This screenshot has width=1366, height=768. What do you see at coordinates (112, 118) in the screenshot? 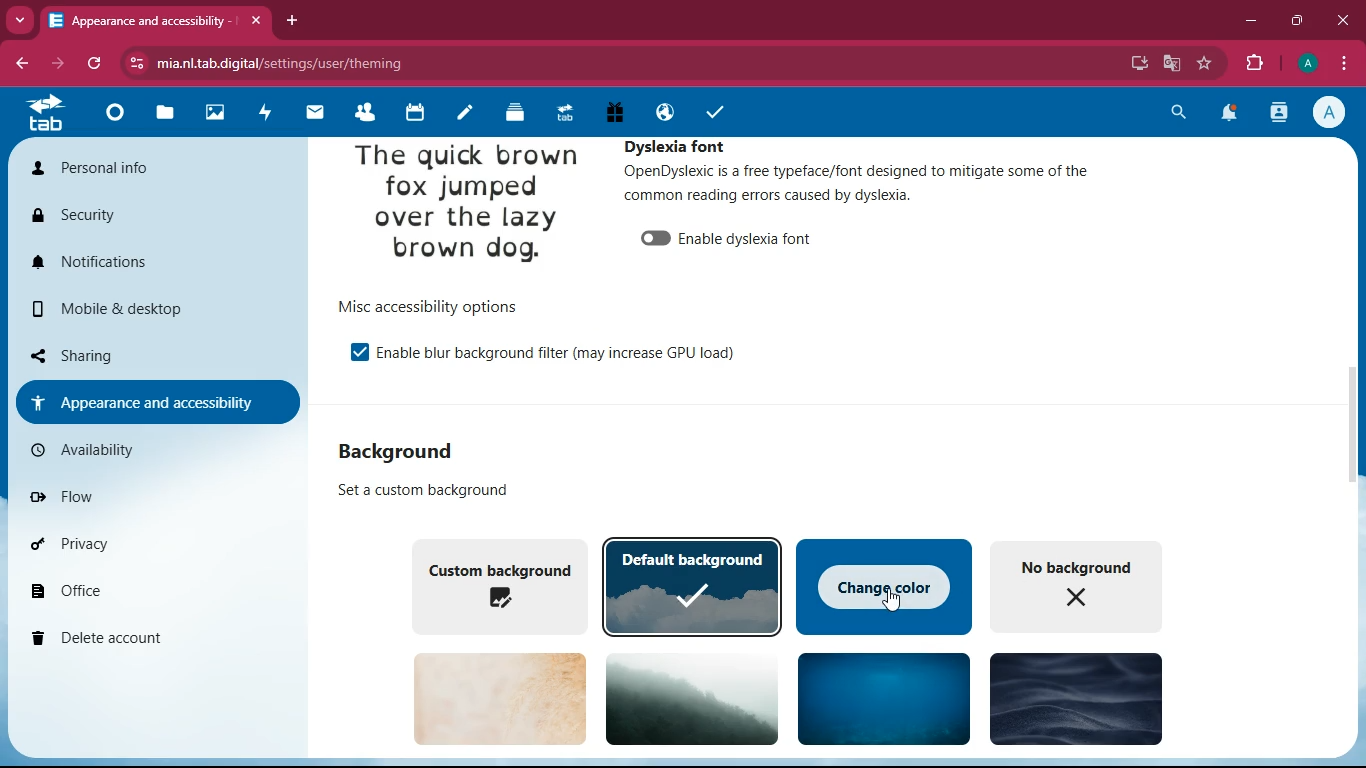
I see `home` at bounding box center [112, 118].